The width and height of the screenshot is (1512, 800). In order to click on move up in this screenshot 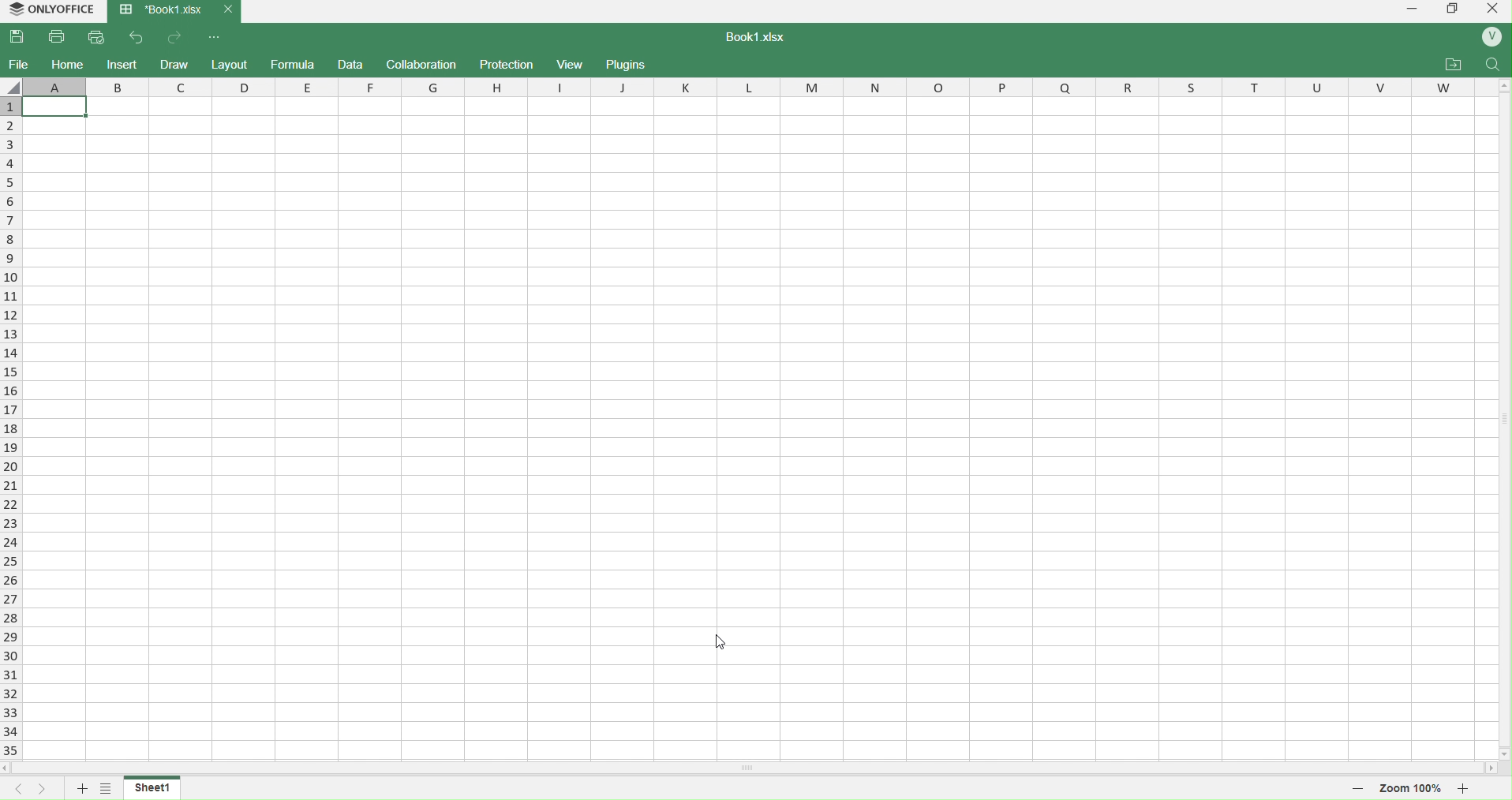, I will do `click(1503, 88)`.